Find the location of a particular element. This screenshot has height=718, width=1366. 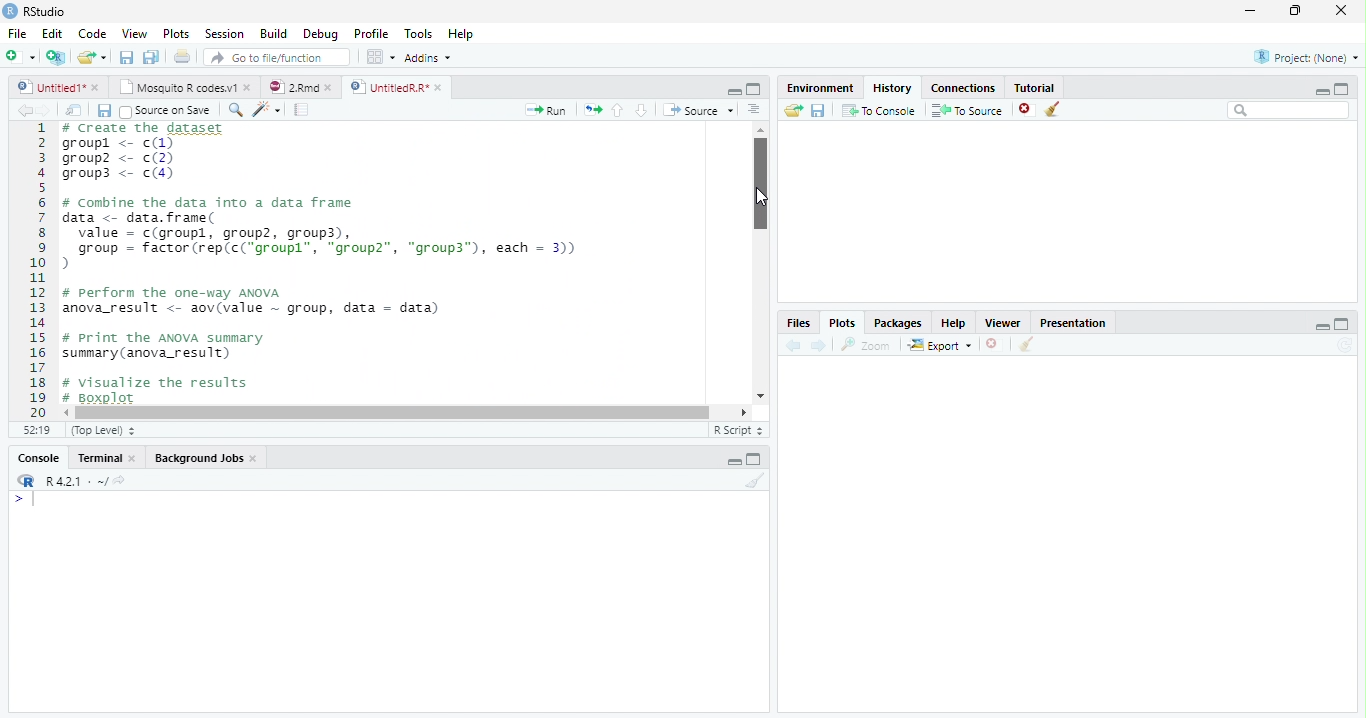

Delete is located at coordinates (993, 345).